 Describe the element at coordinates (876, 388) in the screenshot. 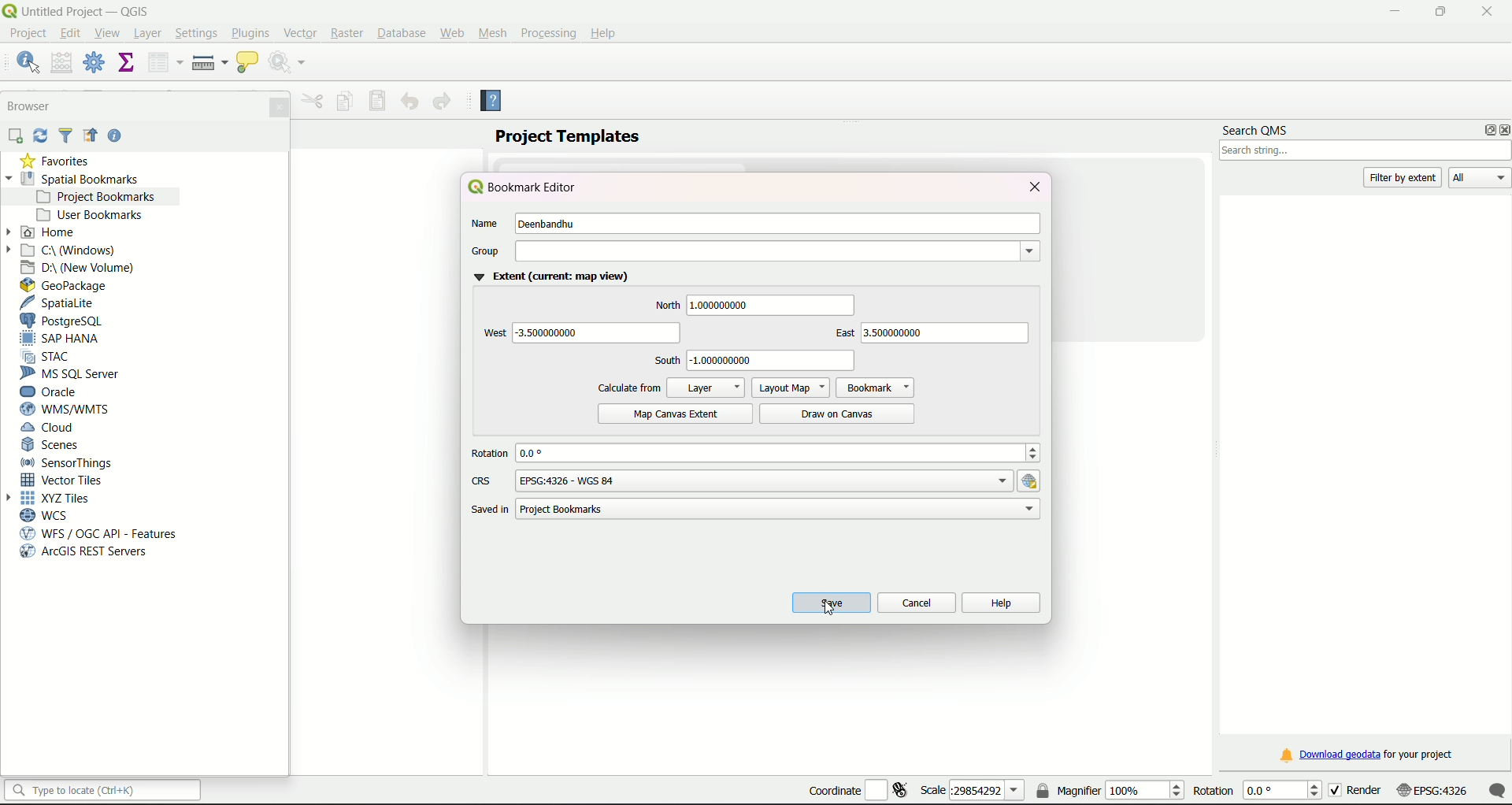

I see `Bookmark` at that location.